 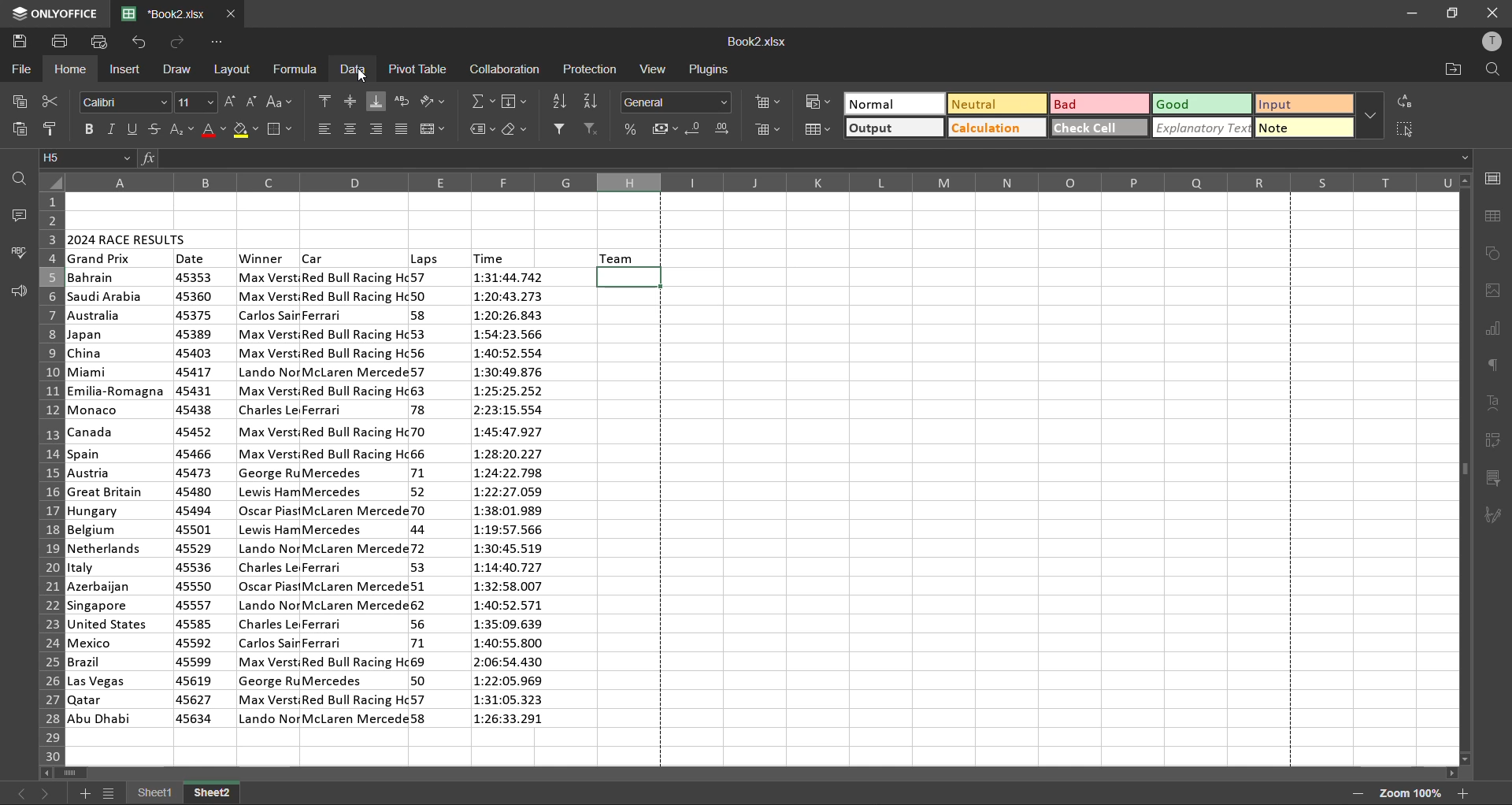 I want to click on profile, so click(x=1491, y=44).